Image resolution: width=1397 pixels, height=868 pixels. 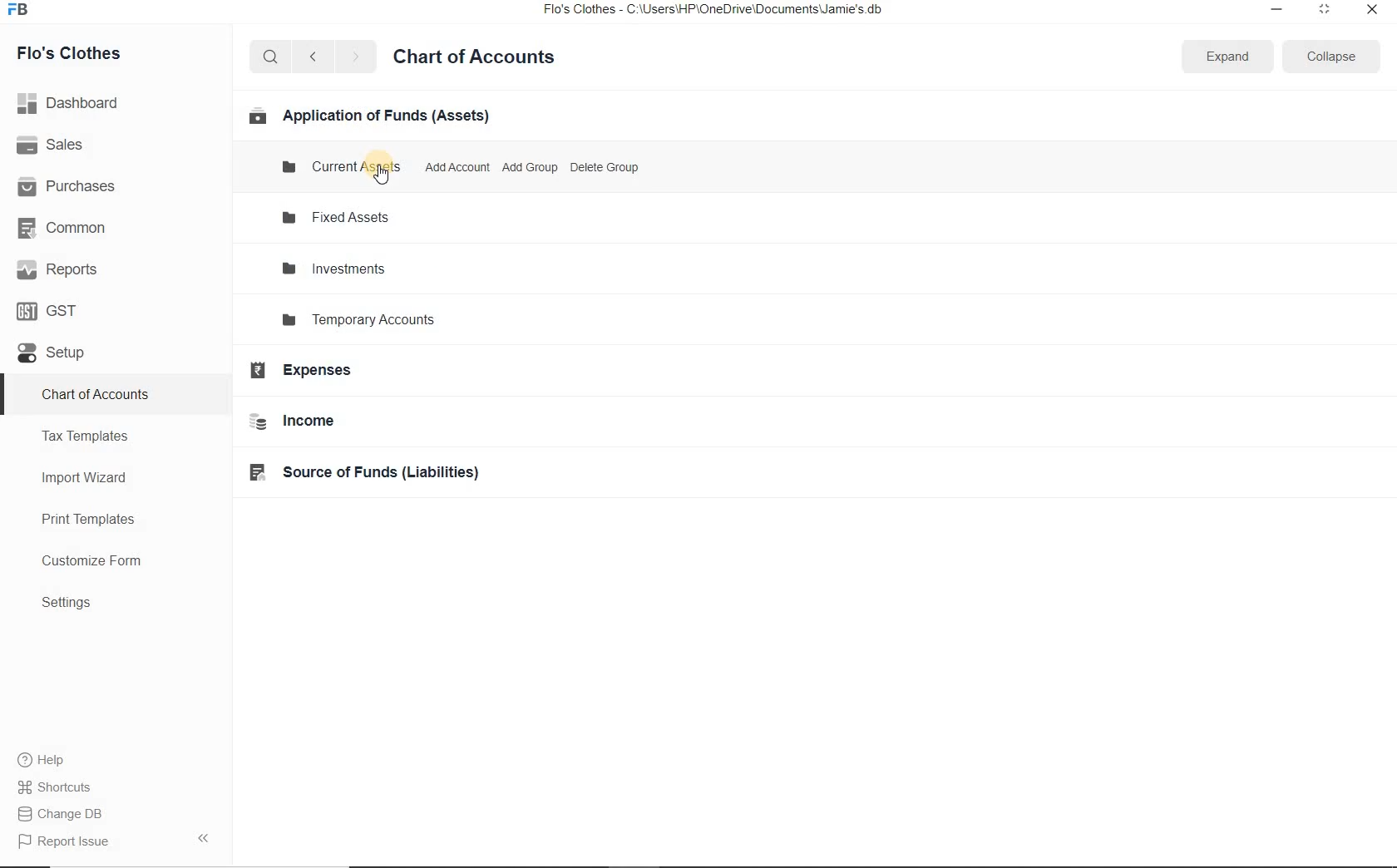 What do you see at coordinates (1325, 8) in the screenshot?
I see `maximize` at bounding box center [1325, 8].